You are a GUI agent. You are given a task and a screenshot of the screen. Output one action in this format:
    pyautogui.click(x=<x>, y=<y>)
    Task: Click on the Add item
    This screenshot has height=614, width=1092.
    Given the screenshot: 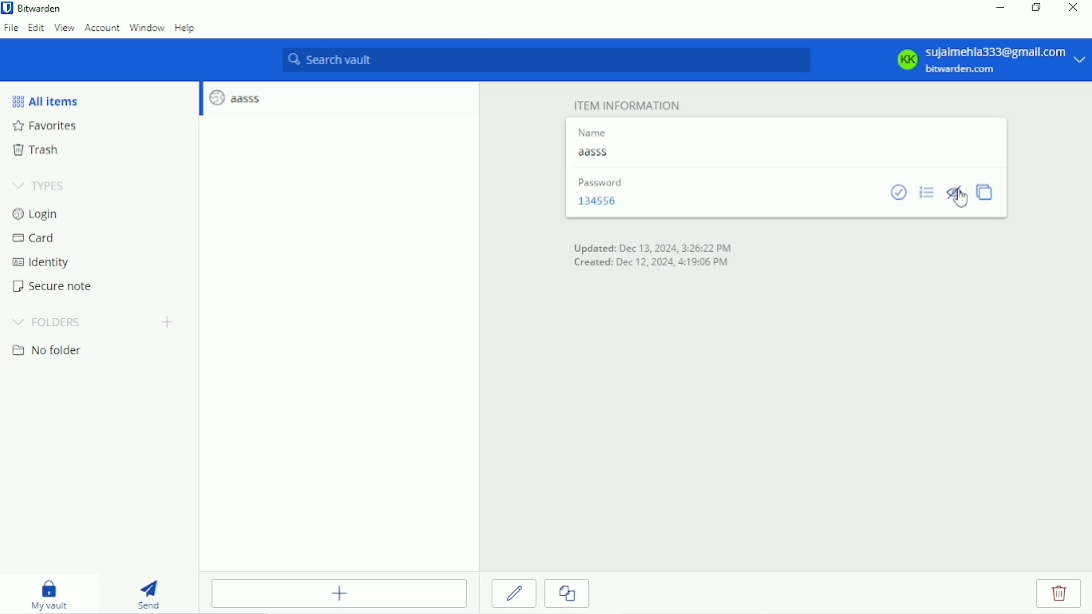 What is the action you would take?
    pyautogui.click(x=340, y=594)
    